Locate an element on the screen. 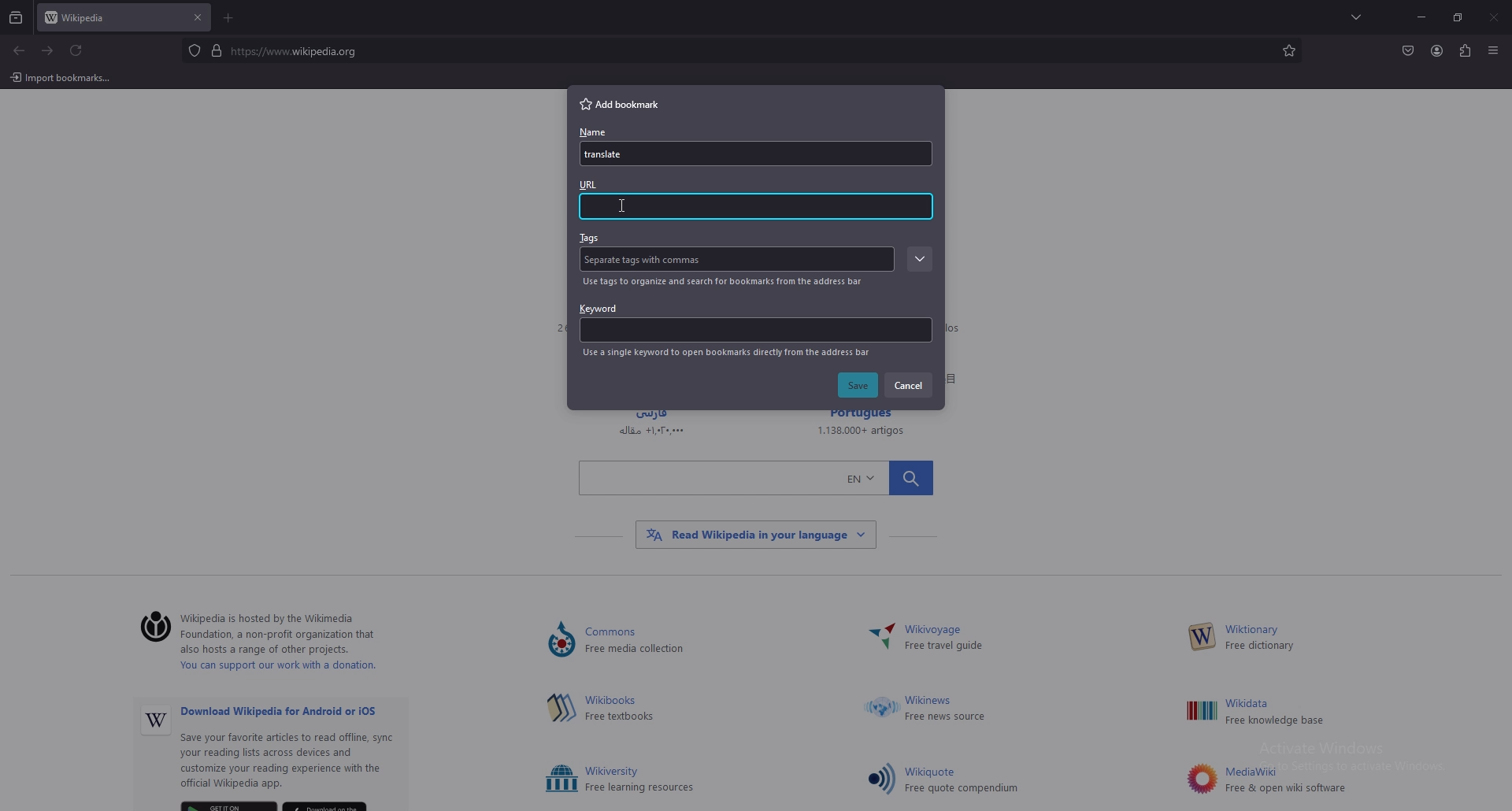 This screenshot has width=1512, height=811. backward is located at coordinates (19, 52).